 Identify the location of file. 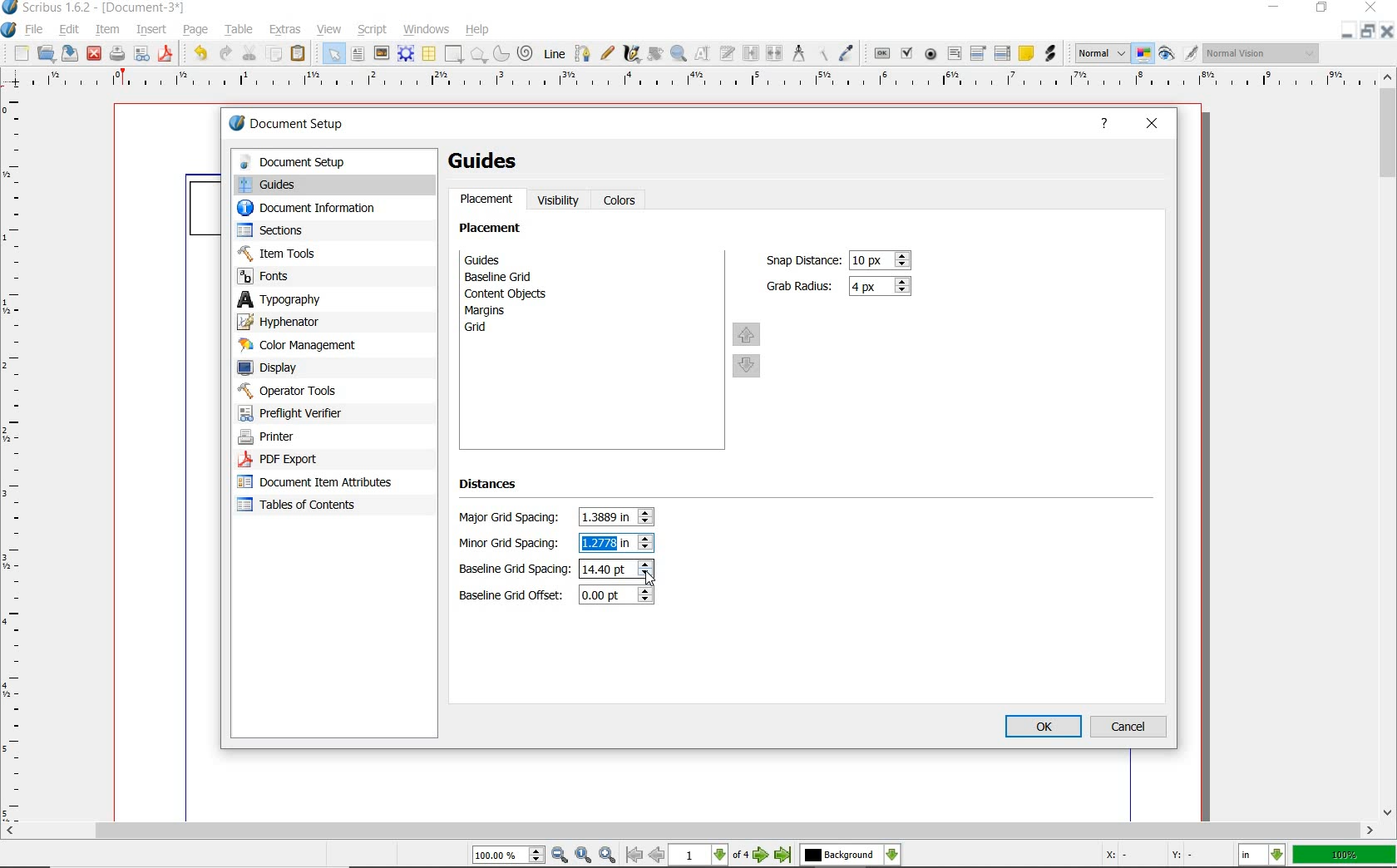
(37, 30).